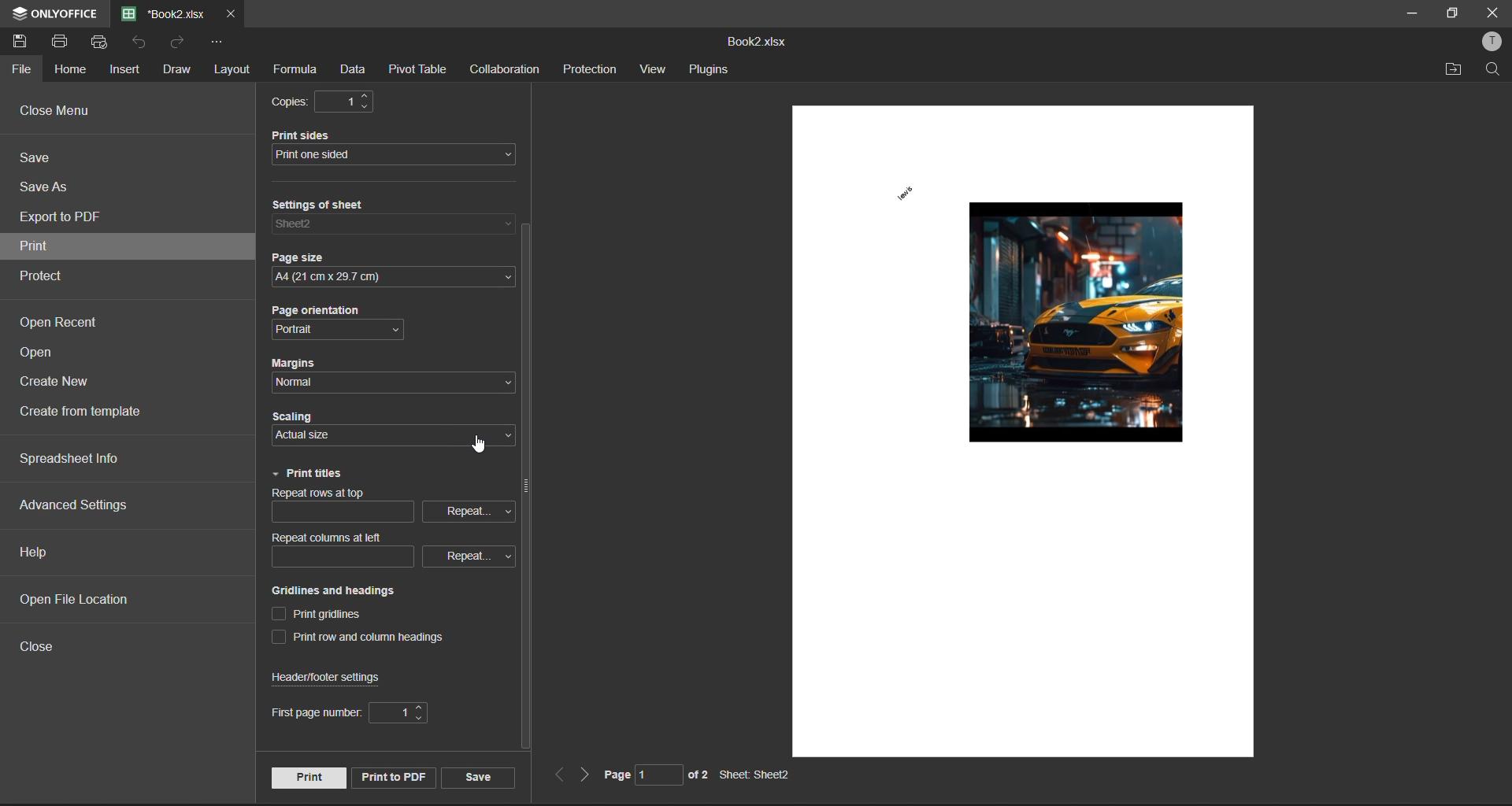 Image resolution: width=1512 pixels, height=806 pixels. What do you see at coordinates (300, 383) in the screenshot?
I see `‘Normal` at bounding box center [300, 383].